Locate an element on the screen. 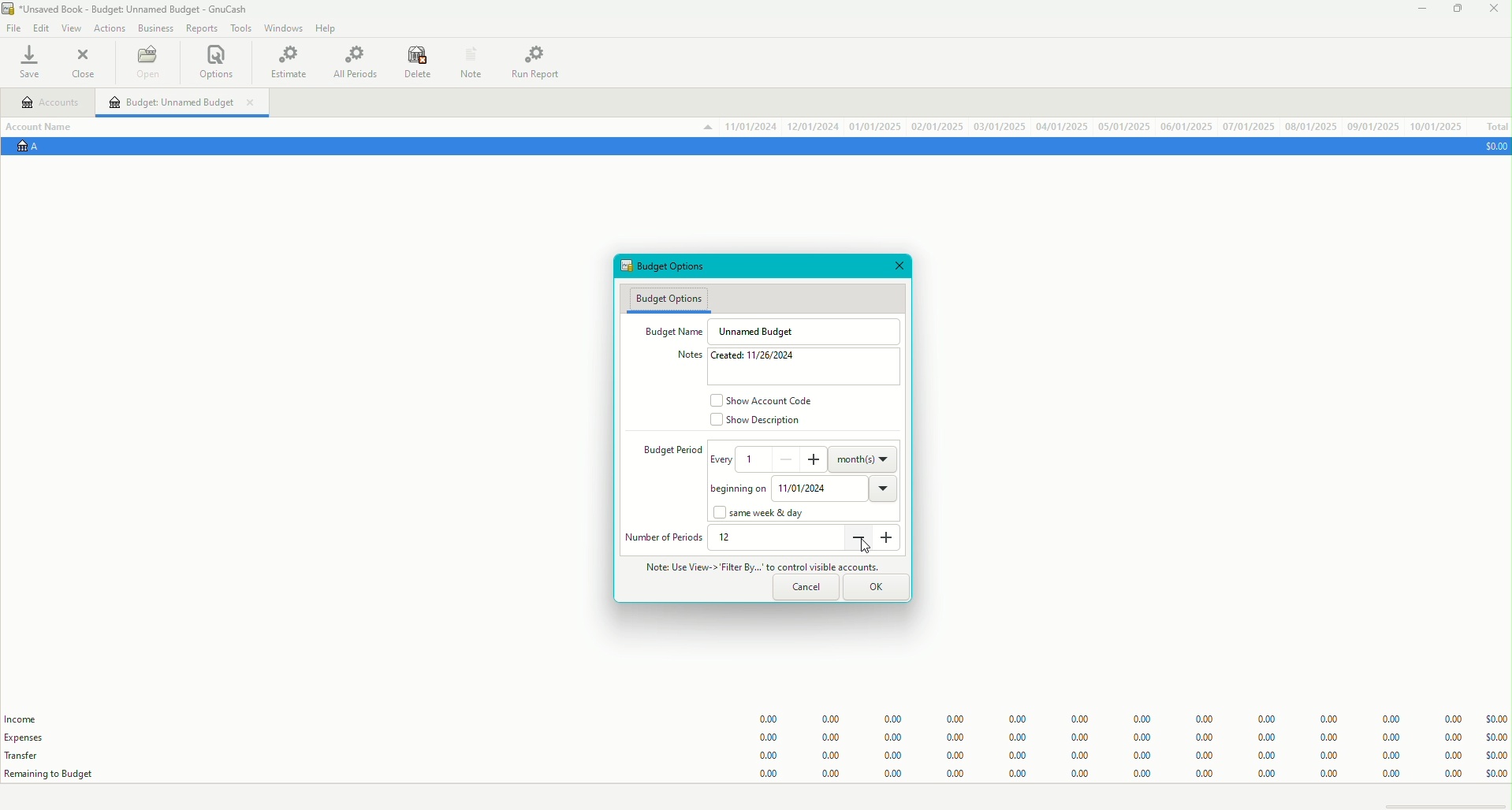  Windows is located at coordinates (283, 30).